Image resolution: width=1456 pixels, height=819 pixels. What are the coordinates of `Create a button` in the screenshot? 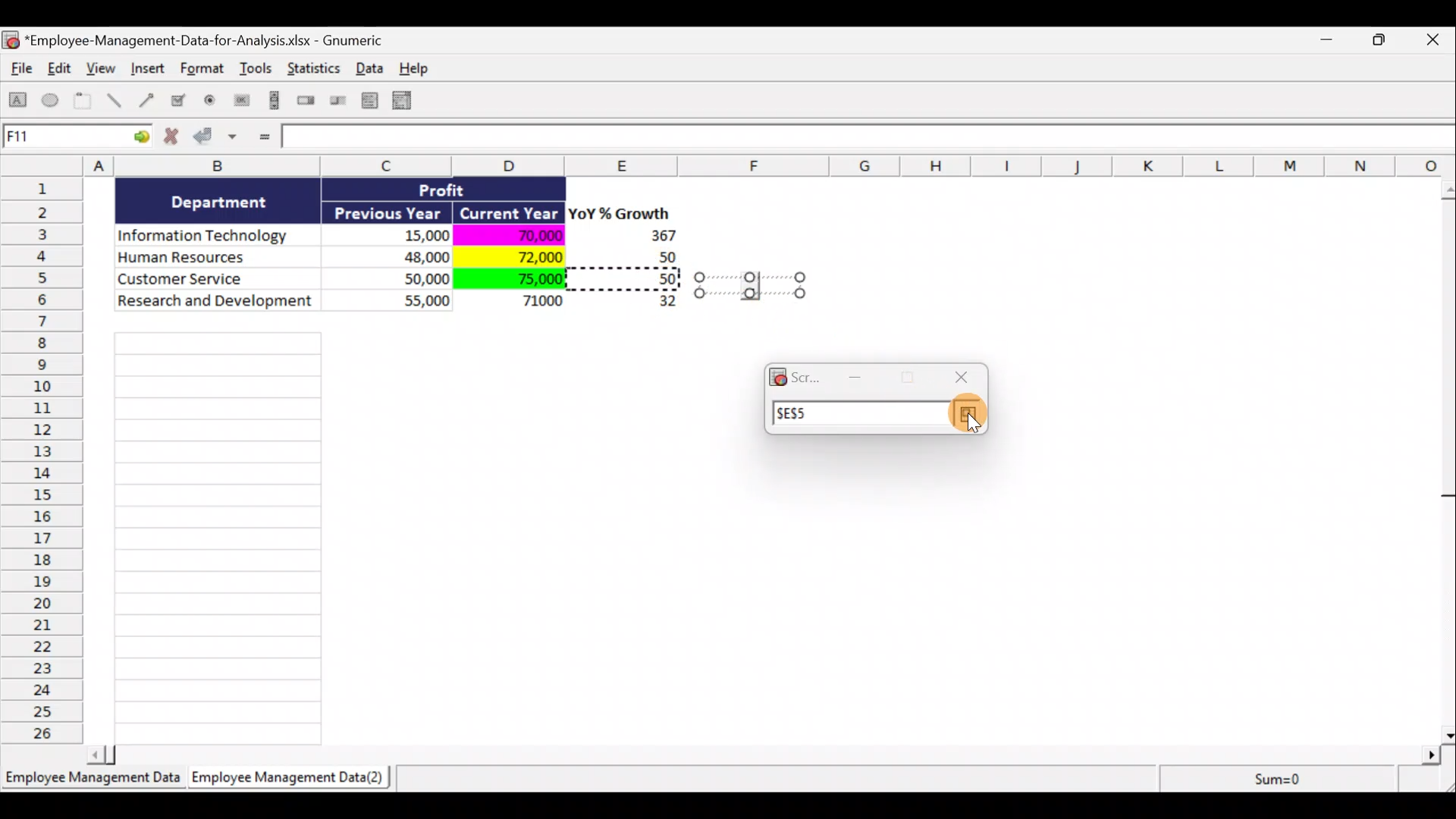 It's located at (240, 104).